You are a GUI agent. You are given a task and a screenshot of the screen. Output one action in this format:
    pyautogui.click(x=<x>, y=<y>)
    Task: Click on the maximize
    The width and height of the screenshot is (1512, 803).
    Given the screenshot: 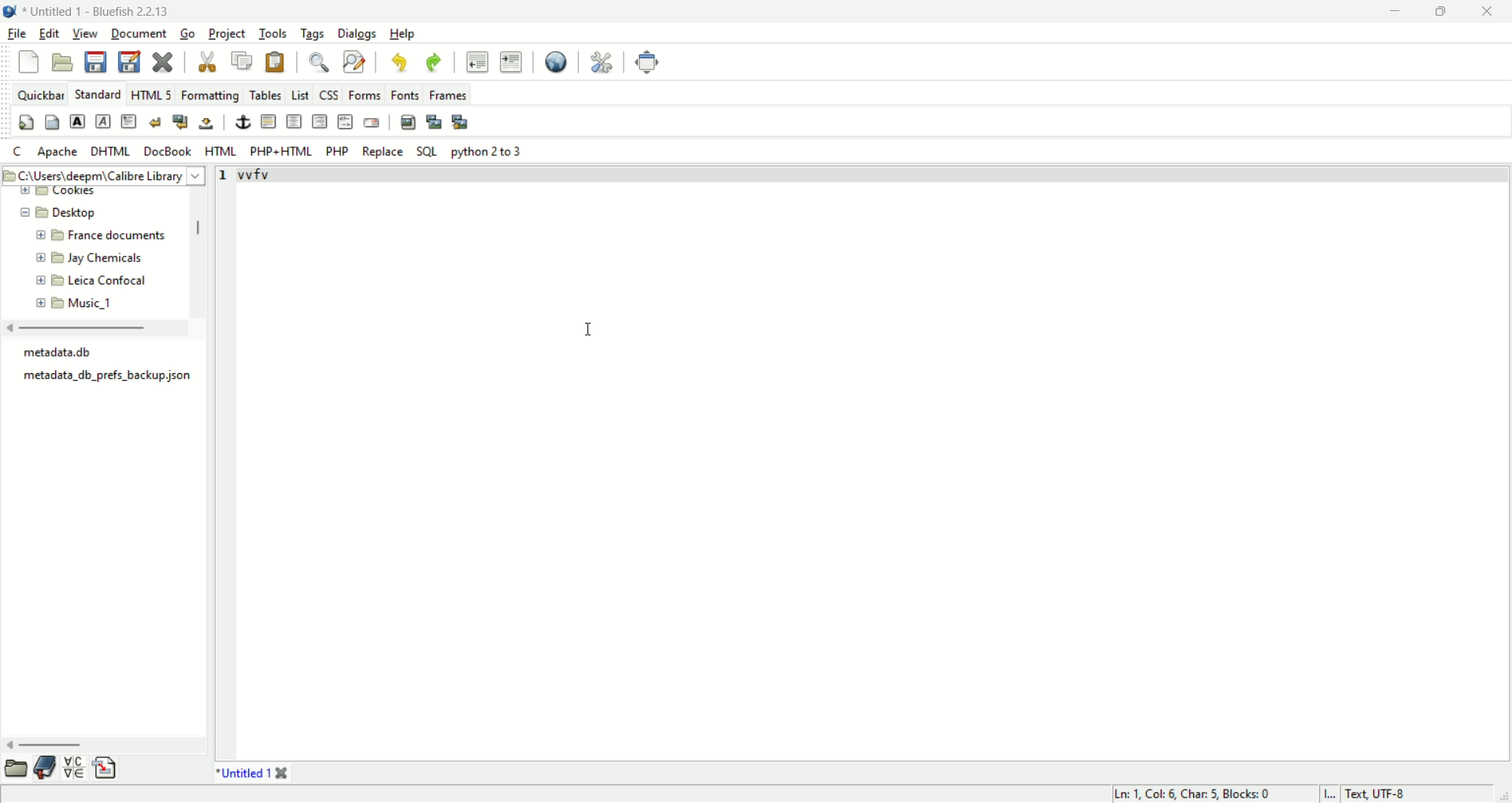 What is the action you would take?
    pyautogui.click(x=1443, y=10)
    